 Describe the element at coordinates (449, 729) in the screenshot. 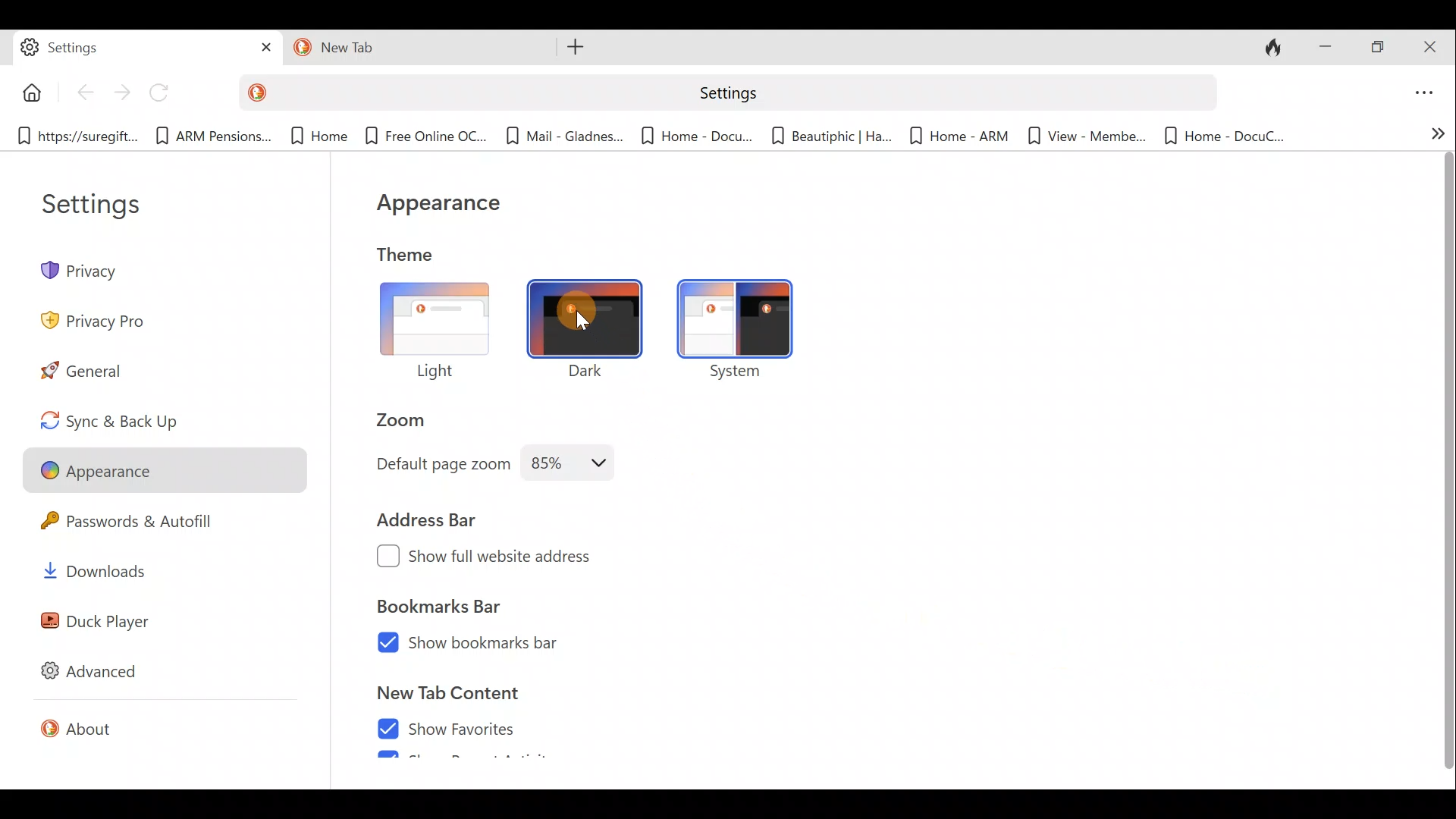

I see `Show favorites` at that location.